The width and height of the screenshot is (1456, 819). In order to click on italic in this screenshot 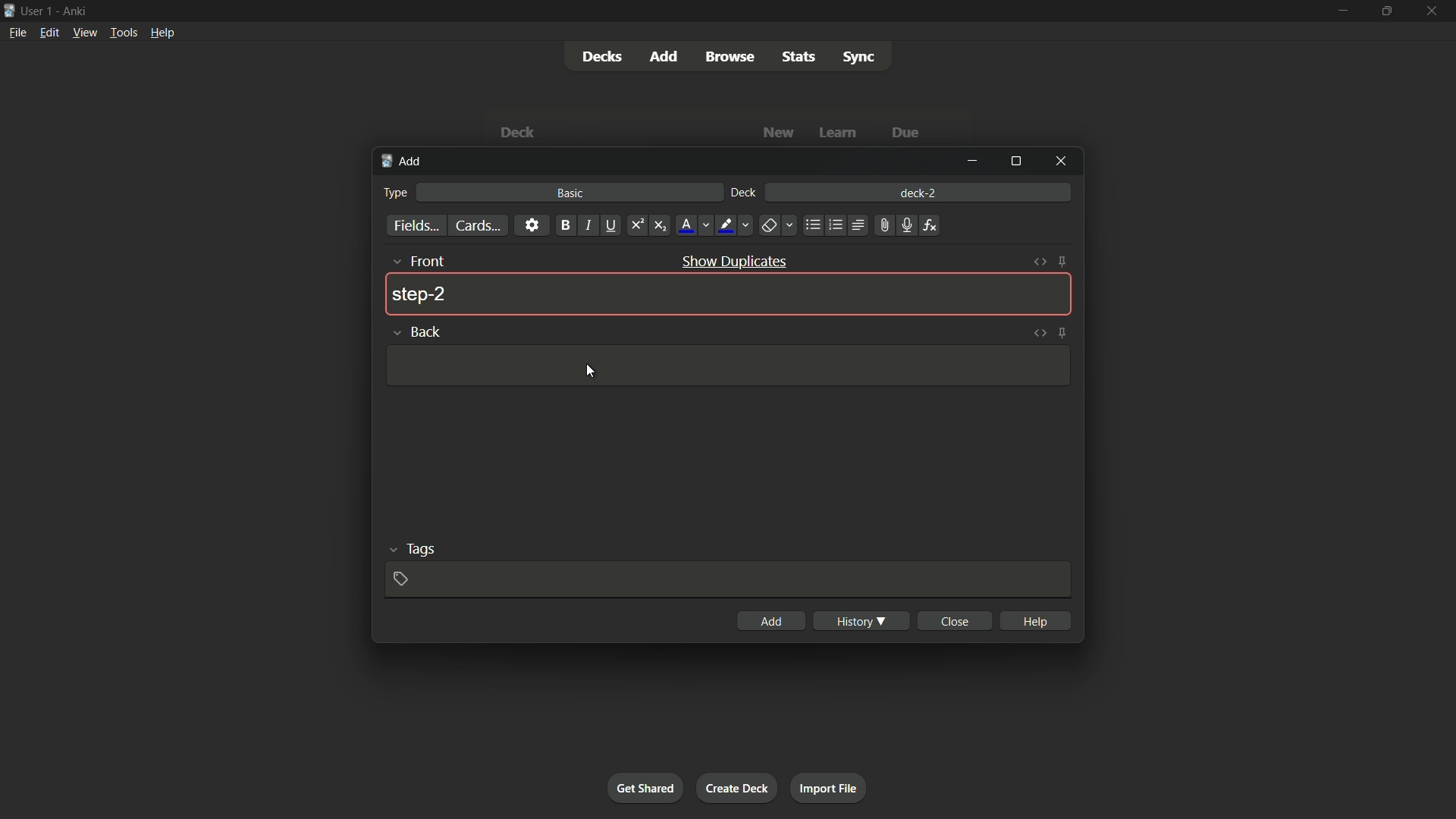, I will do `click(587, 226)`.